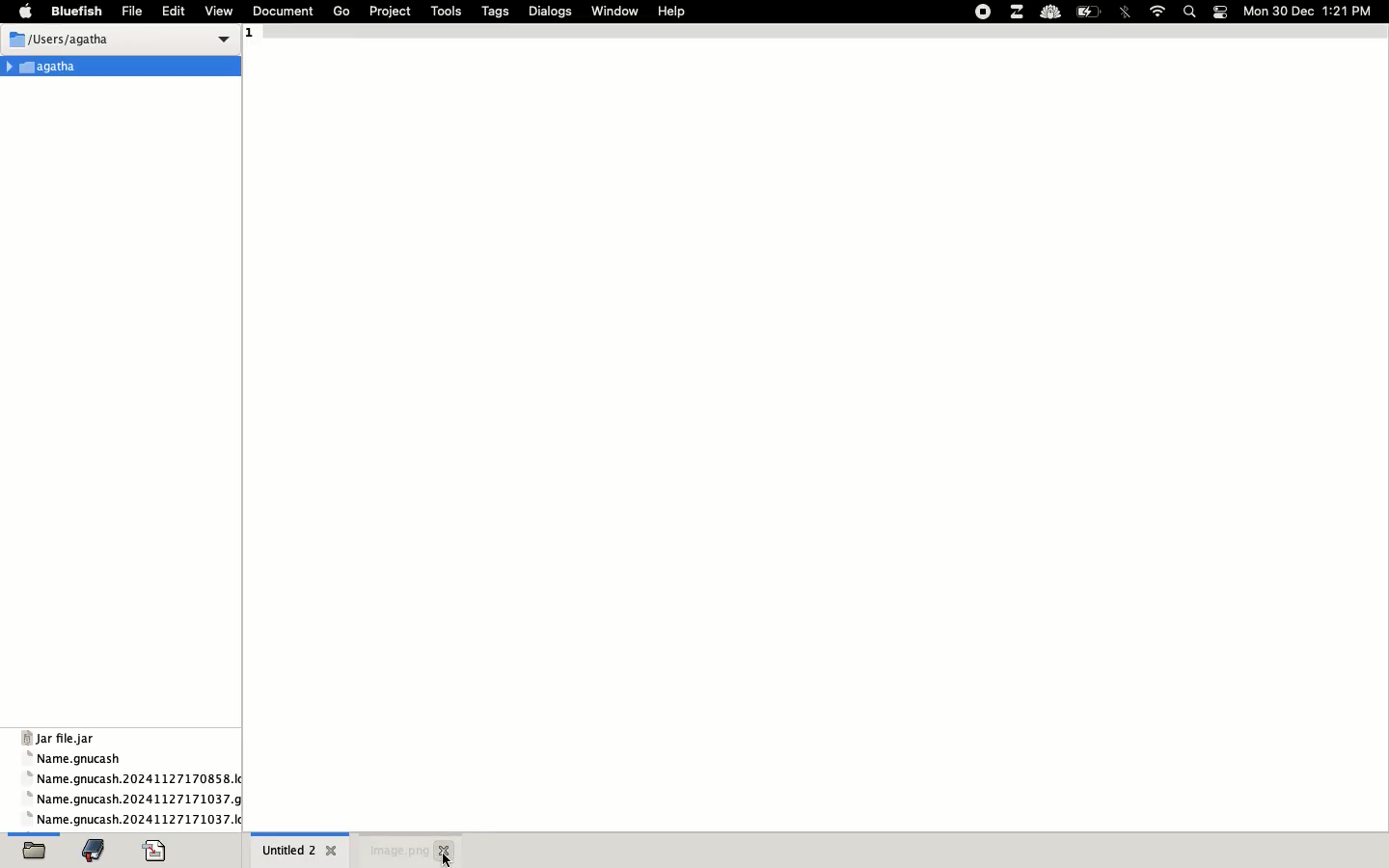  Describe the element at coordinates (24, 12) in the screenshot. I see `apple` at that location.